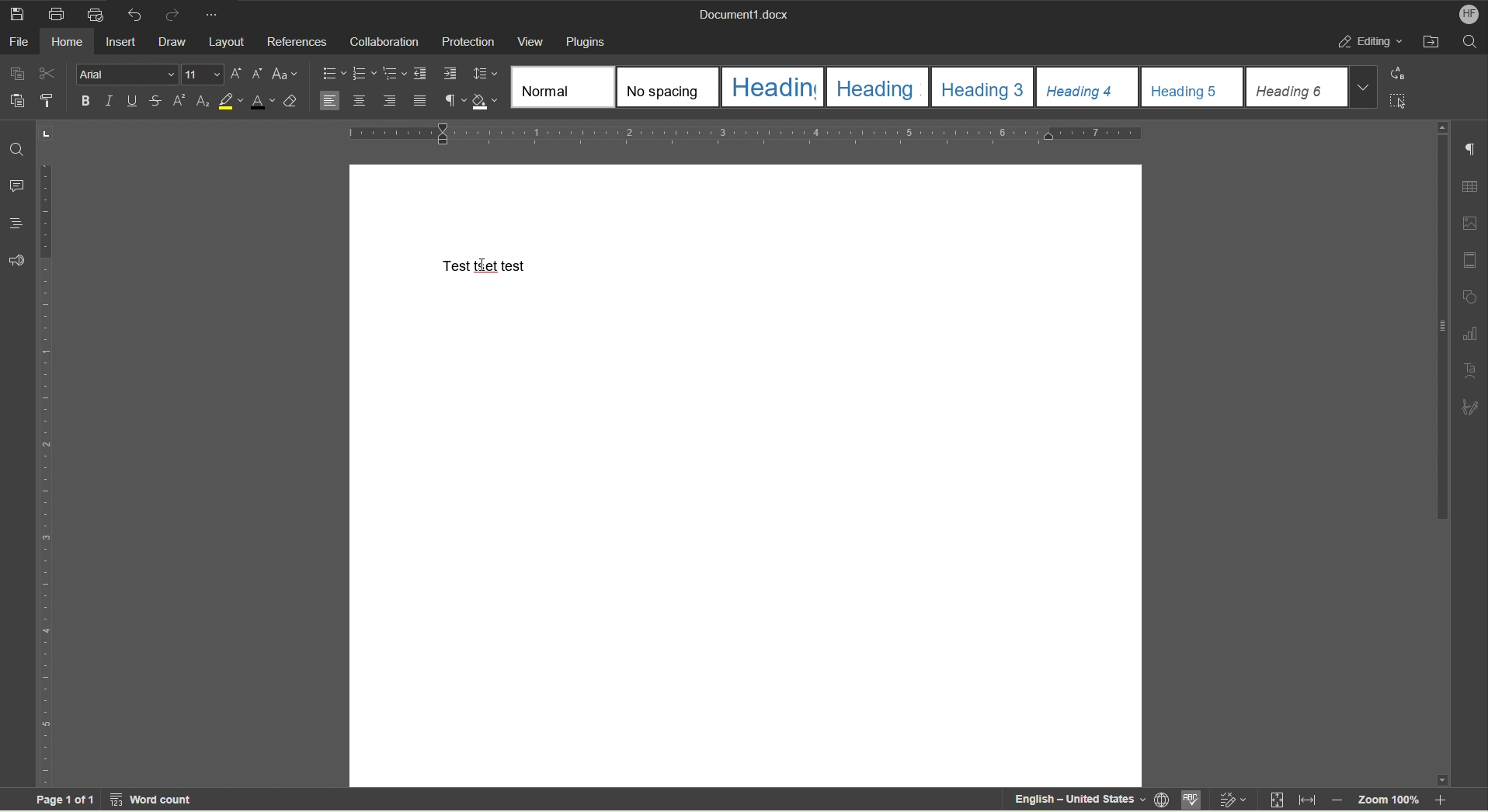 The height and width of the screenshot is (812, 1488). Describe the element at coordinates (1368, 40) in the screenshot. I see `Editing` at that location.